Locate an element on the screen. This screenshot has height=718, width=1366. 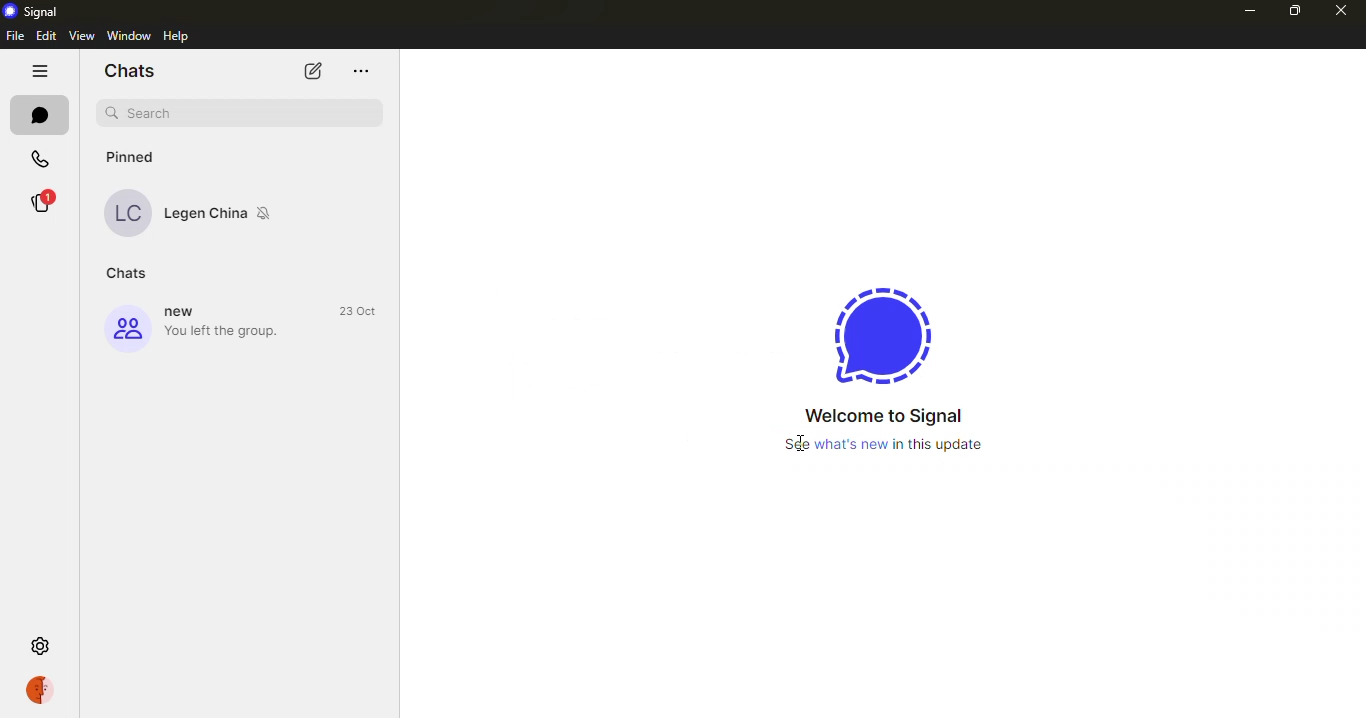
profile is located at coordinates (126, 329).